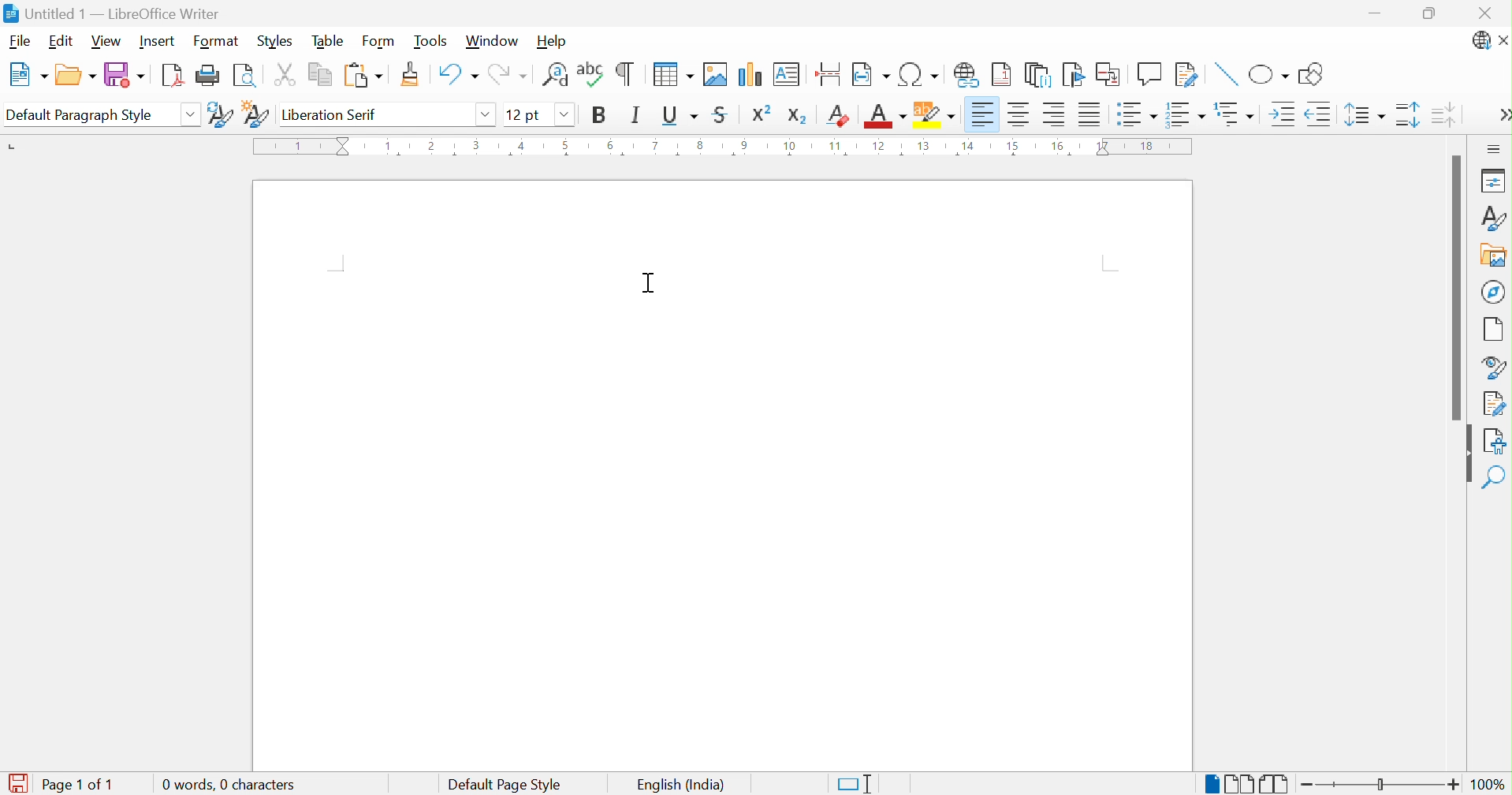 This screenshot has width=1512, height=795. What do you see at coordinates (1495, 441) in the screenshot?
I see `Accessibility check` at bounding box center [1495, 441].